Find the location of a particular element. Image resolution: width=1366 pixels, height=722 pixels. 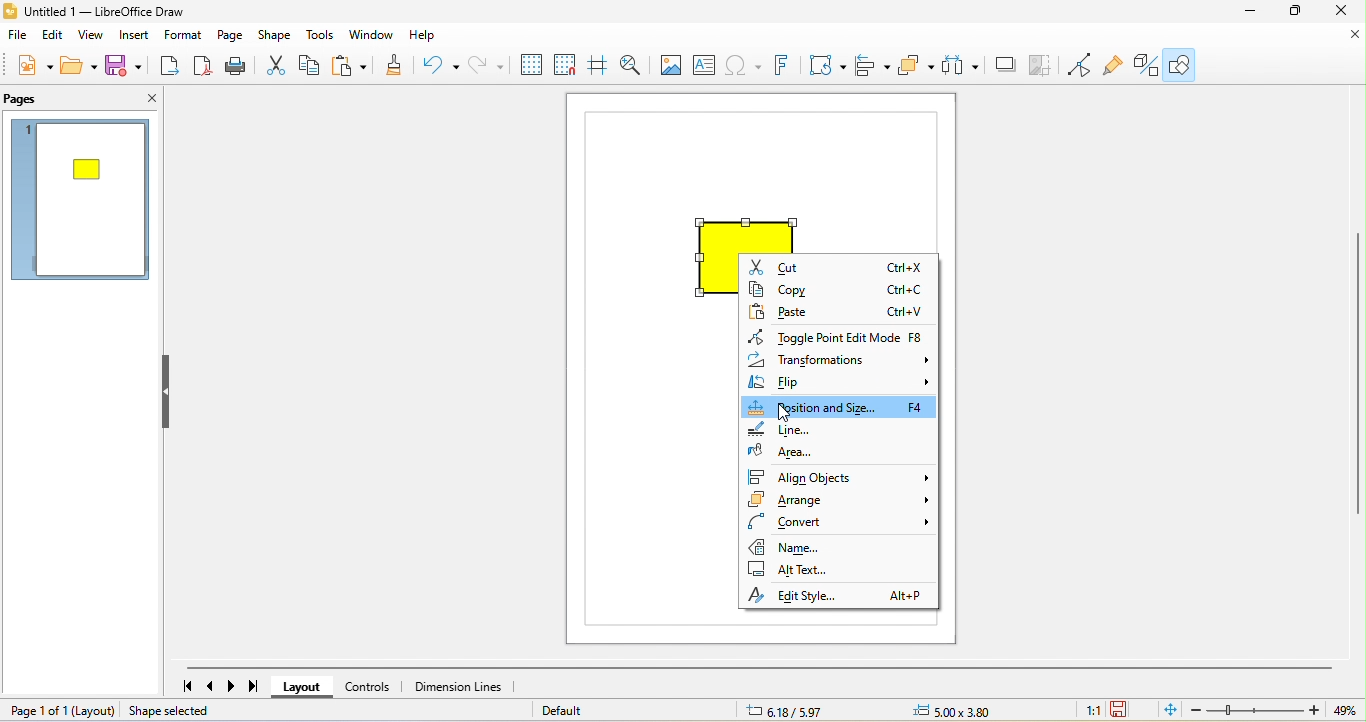

undo is located at coordinates (437, 65).